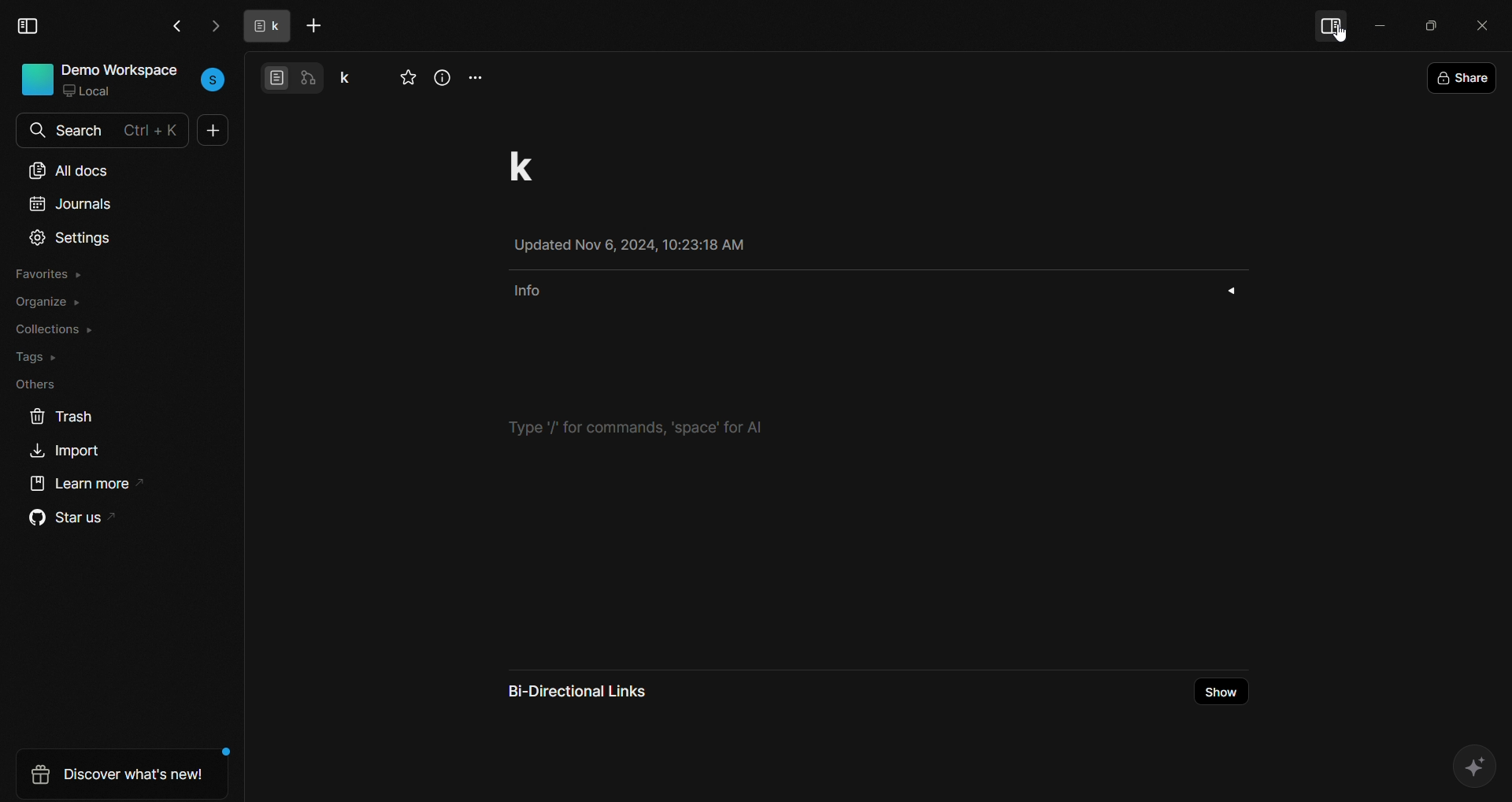  Describe the element at coordinates (37, 79) in the screenshot. I see `icon` at that location.